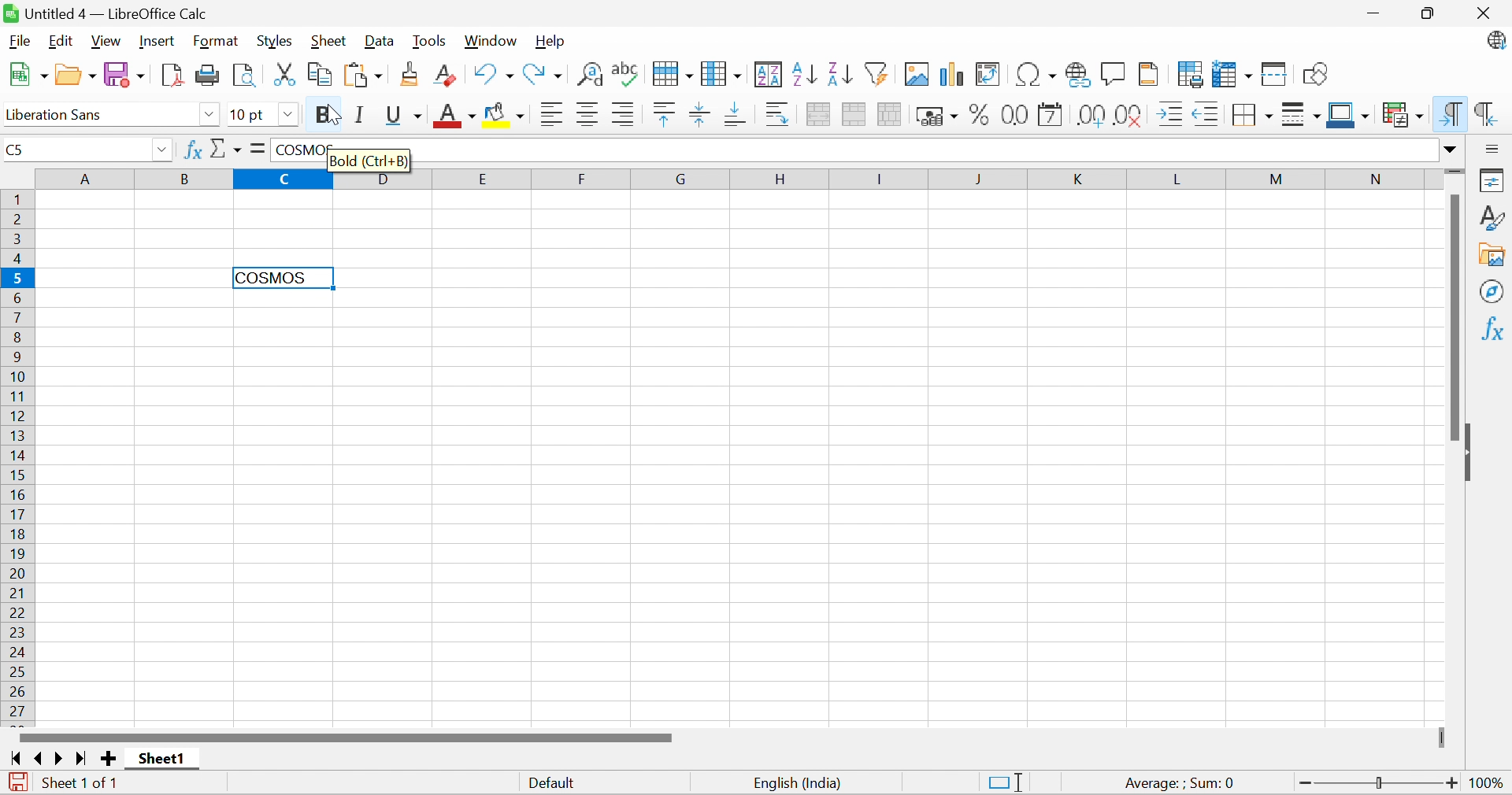  I want to click on Clone Frmatting, so click(412, 73).